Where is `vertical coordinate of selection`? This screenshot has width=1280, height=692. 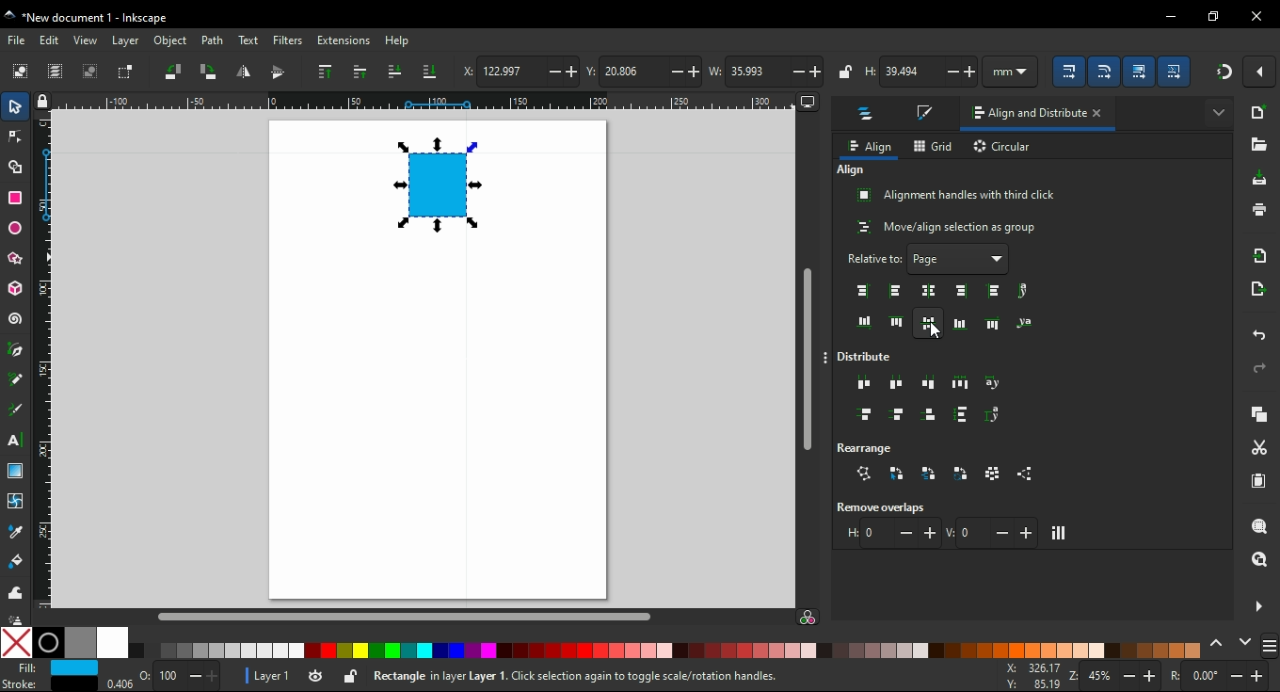
vertical coordinate of selection is located at coordinates (642, 70).